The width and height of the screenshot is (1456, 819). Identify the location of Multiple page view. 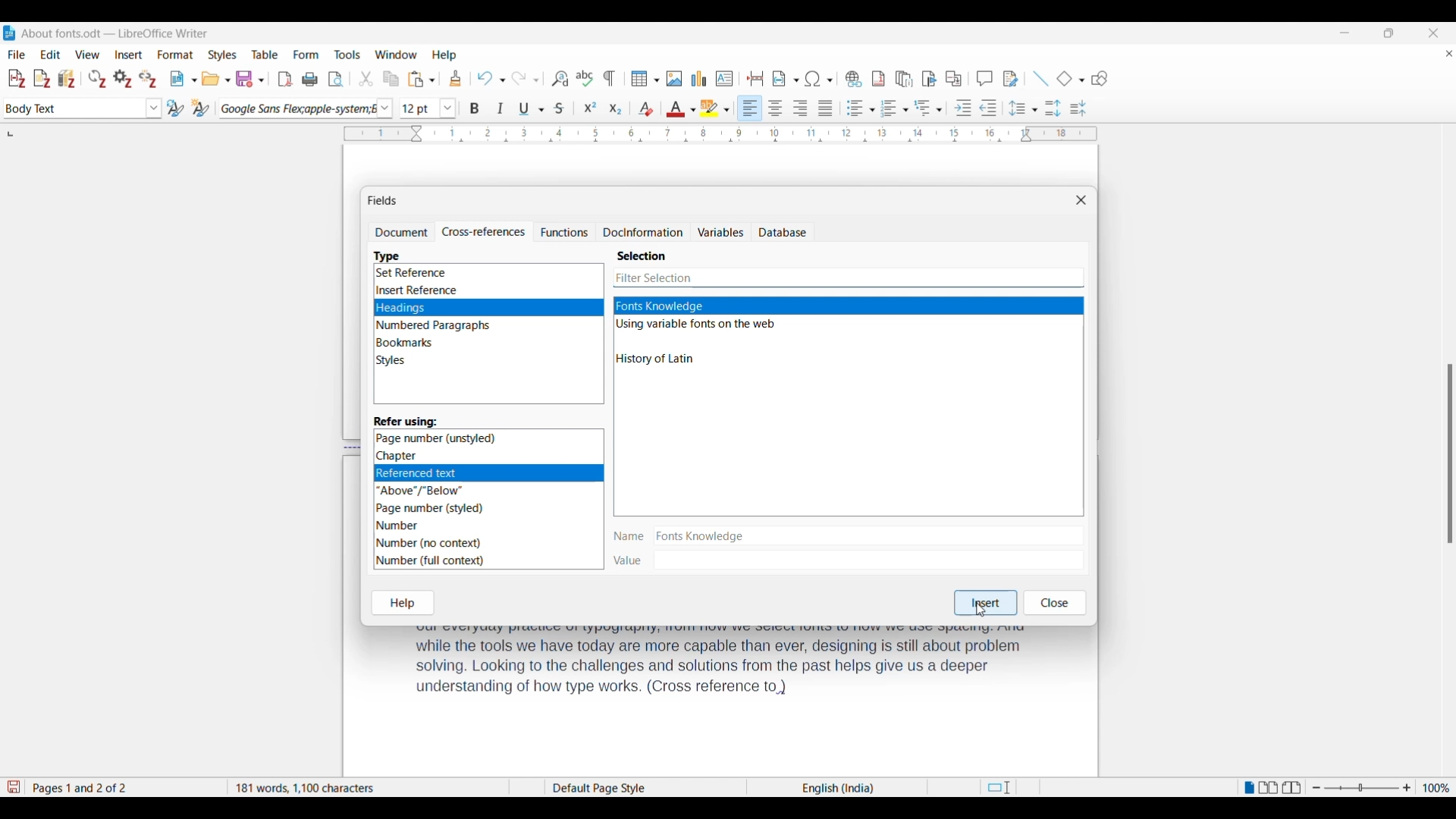
(1269, 788).